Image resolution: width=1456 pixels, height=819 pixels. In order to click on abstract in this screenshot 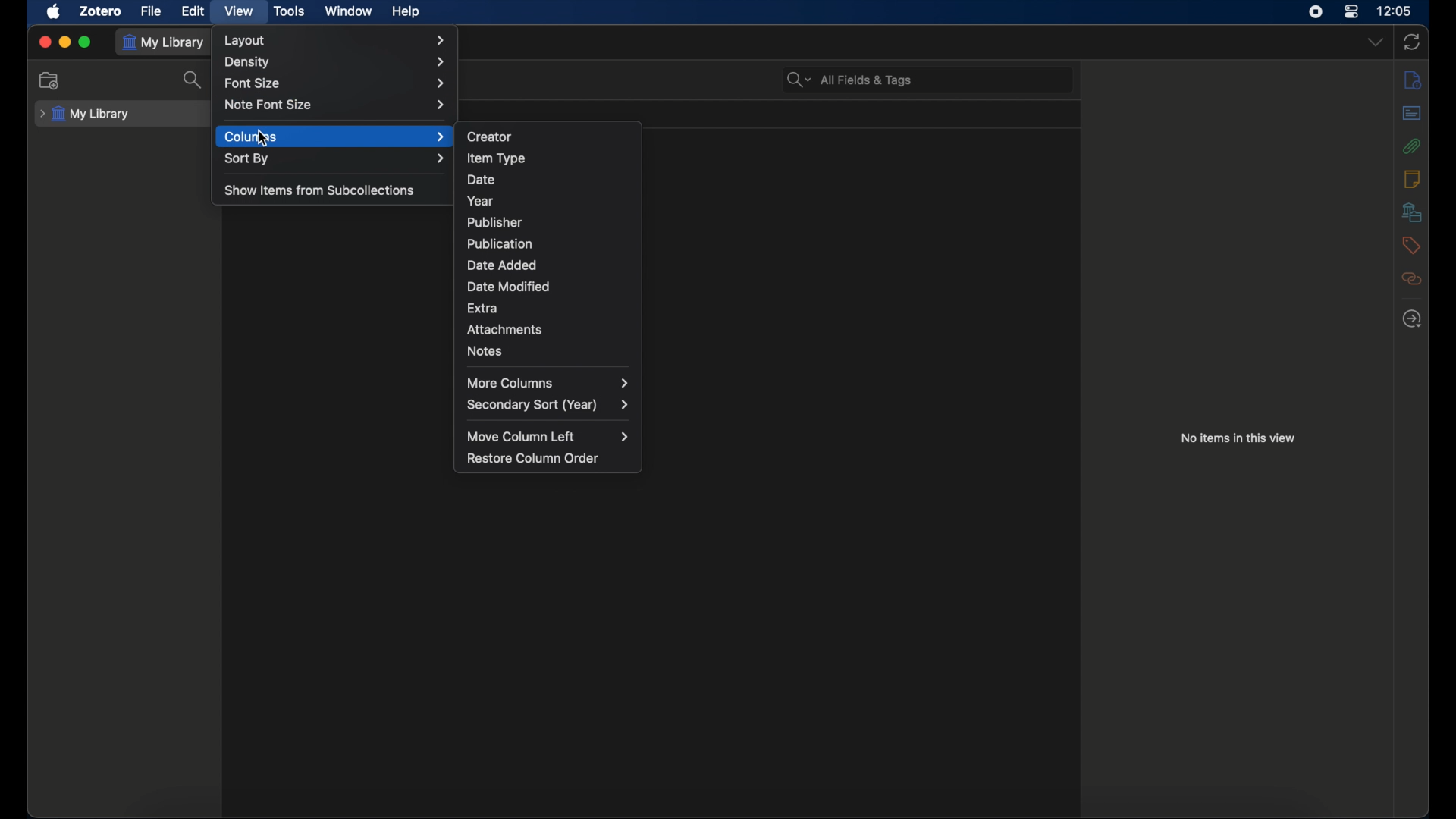, I will do `click(1411, 112)`.